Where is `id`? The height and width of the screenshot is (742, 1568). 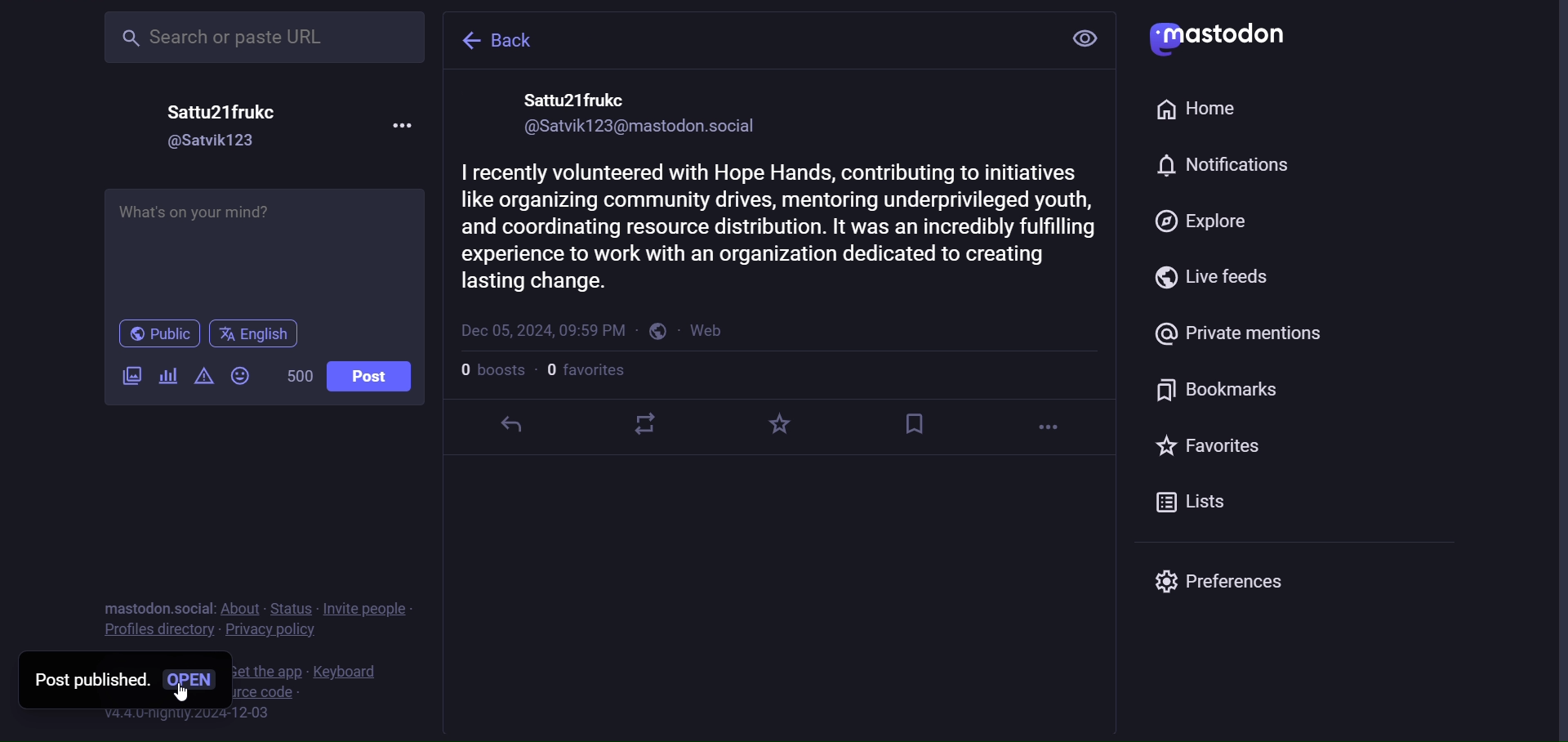
id is located at coordinates (213, 145).